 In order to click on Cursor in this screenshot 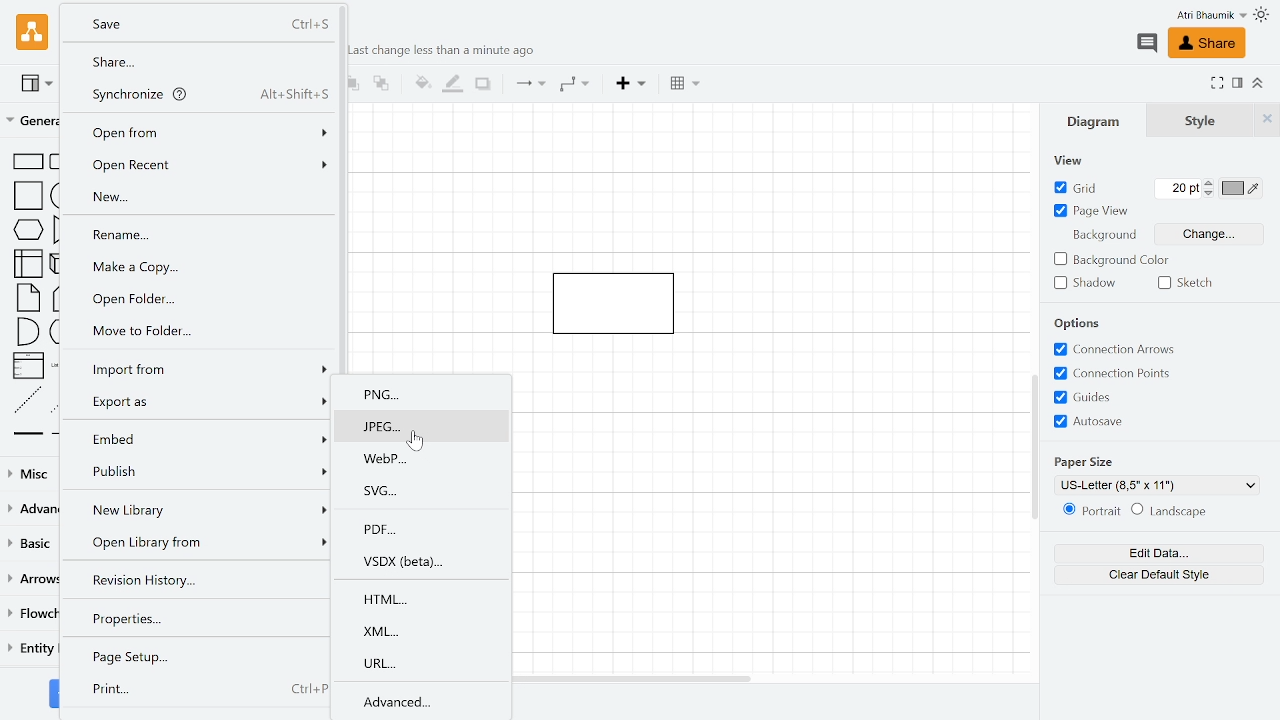, I will do `click(421, 440)`.